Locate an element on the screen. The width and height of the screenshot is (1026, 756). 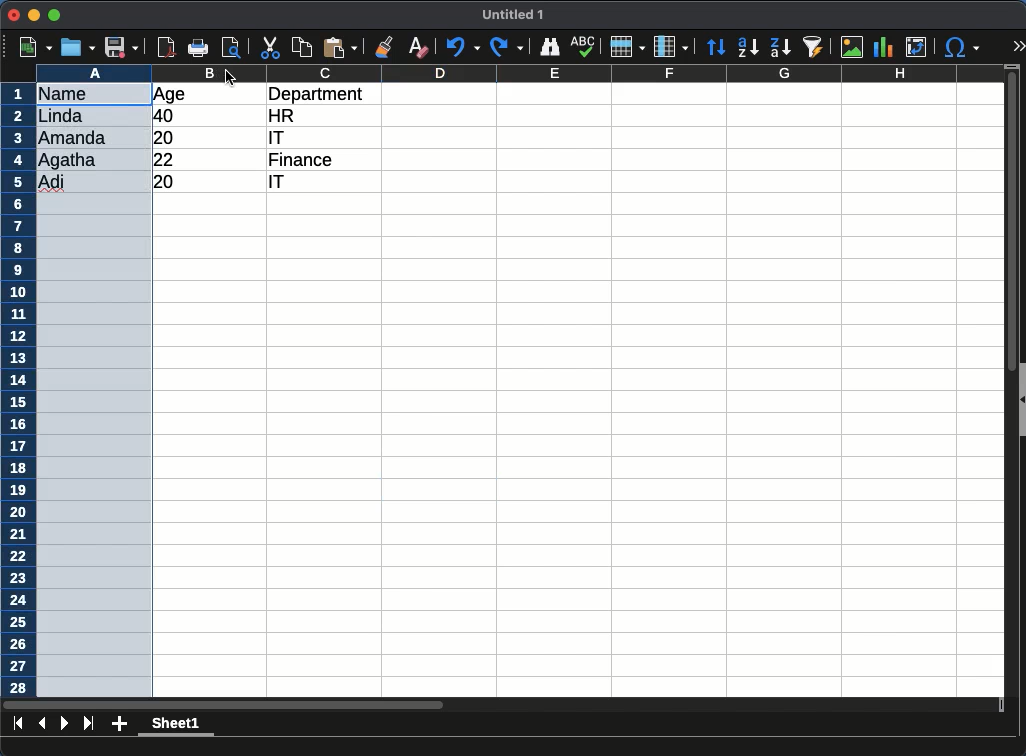
rows is located at coordinates (626, 47).